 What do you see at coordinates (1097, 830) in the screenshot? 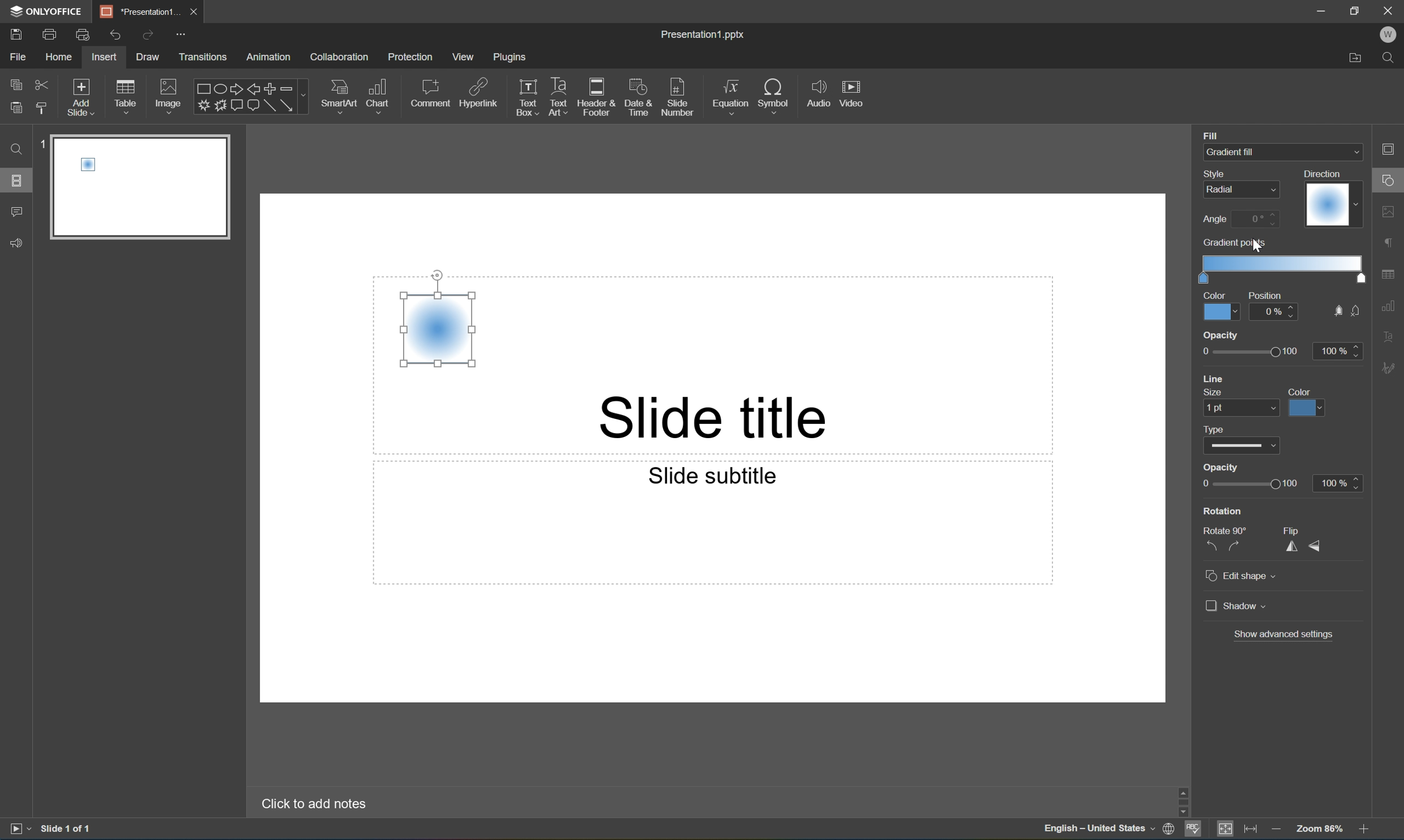
I see `English-United States` at bounding box center [1097, 830].